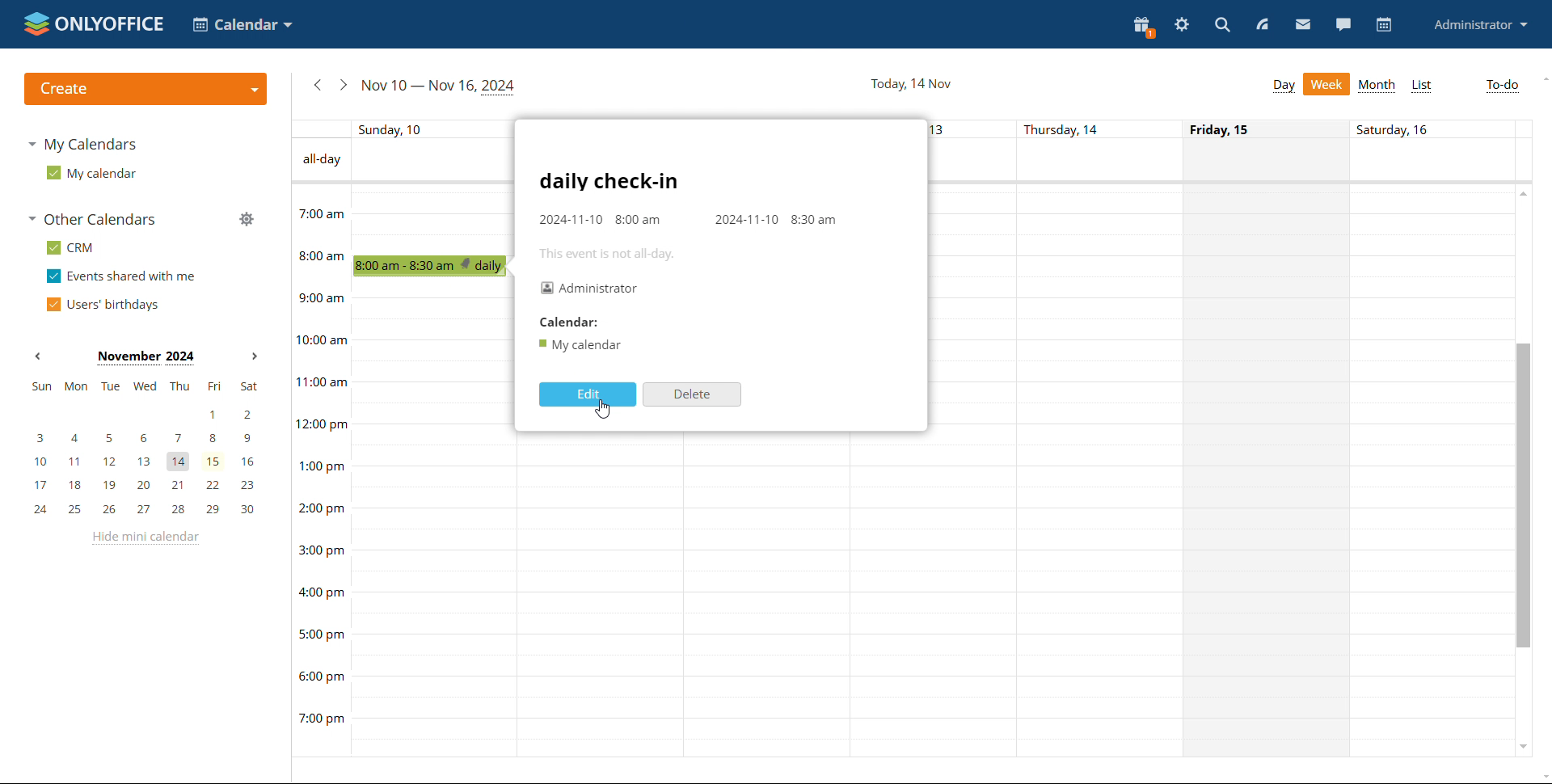 The width and height of the screenshot is (1552, 784). Describe the element at coordinates (614, 253) in the screenshot. I see `the event is not all-day` at that location.